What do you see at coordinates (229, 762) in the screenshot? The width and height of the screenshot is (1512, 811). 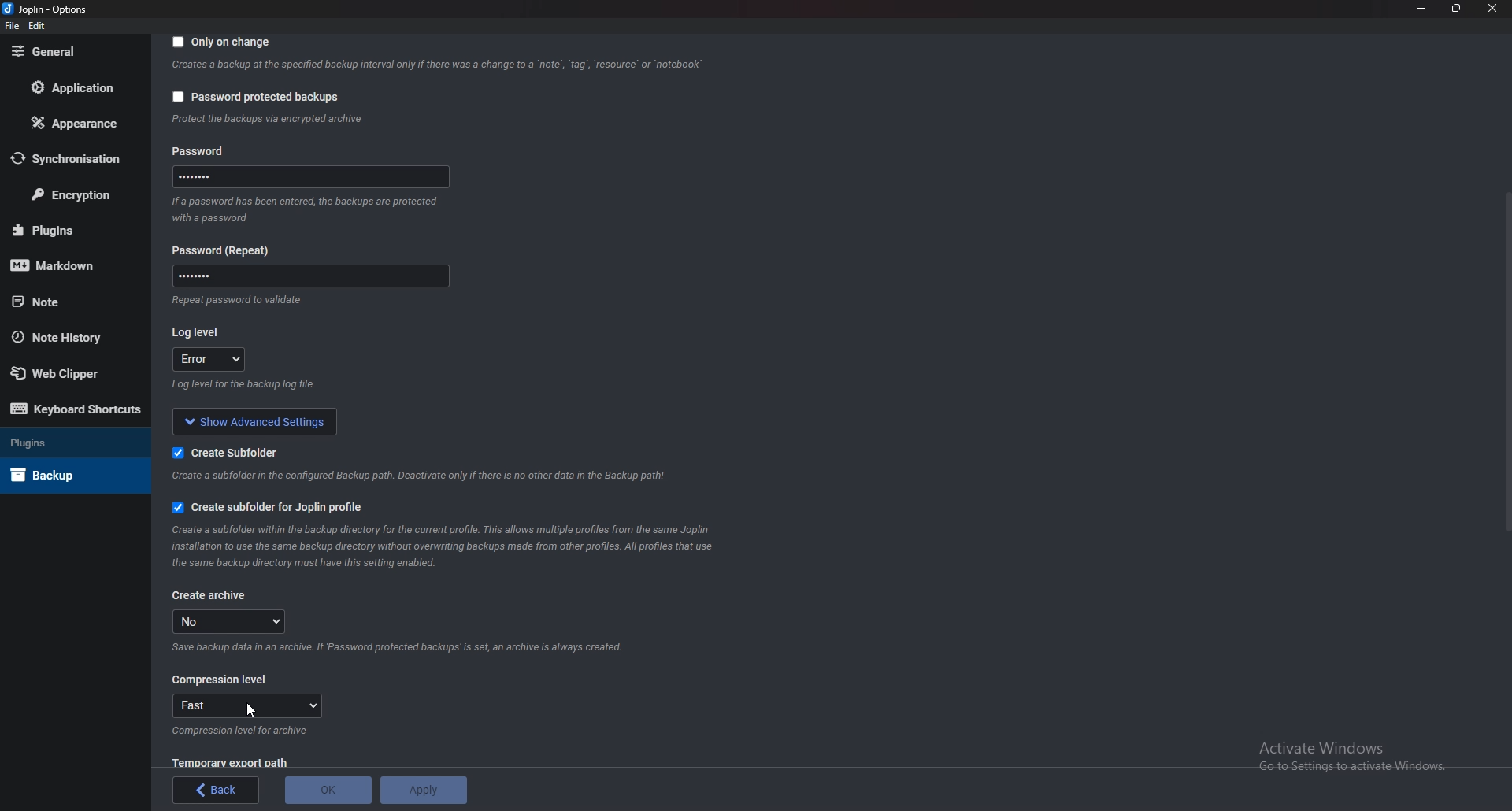 I see `Temporary export path` at bounding box center [229, 762].